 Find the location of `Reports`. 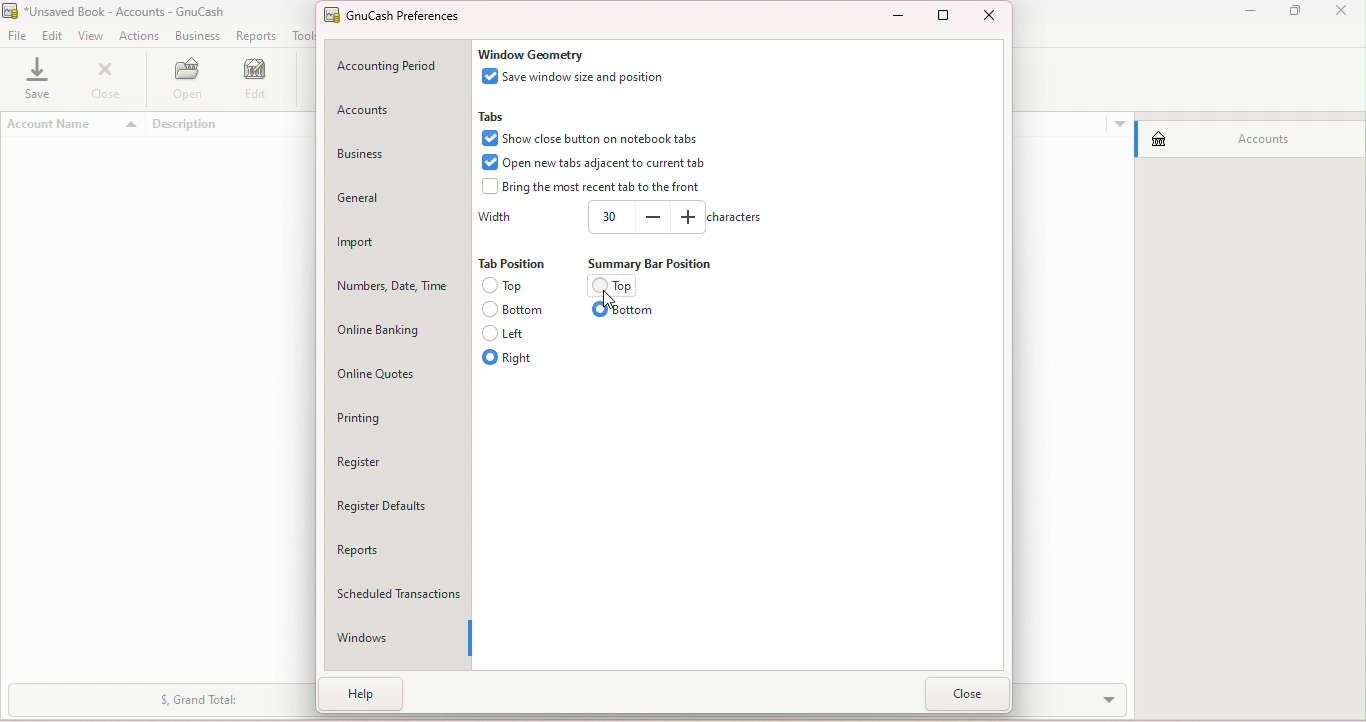

Reports is located at coordinates (395, 547).